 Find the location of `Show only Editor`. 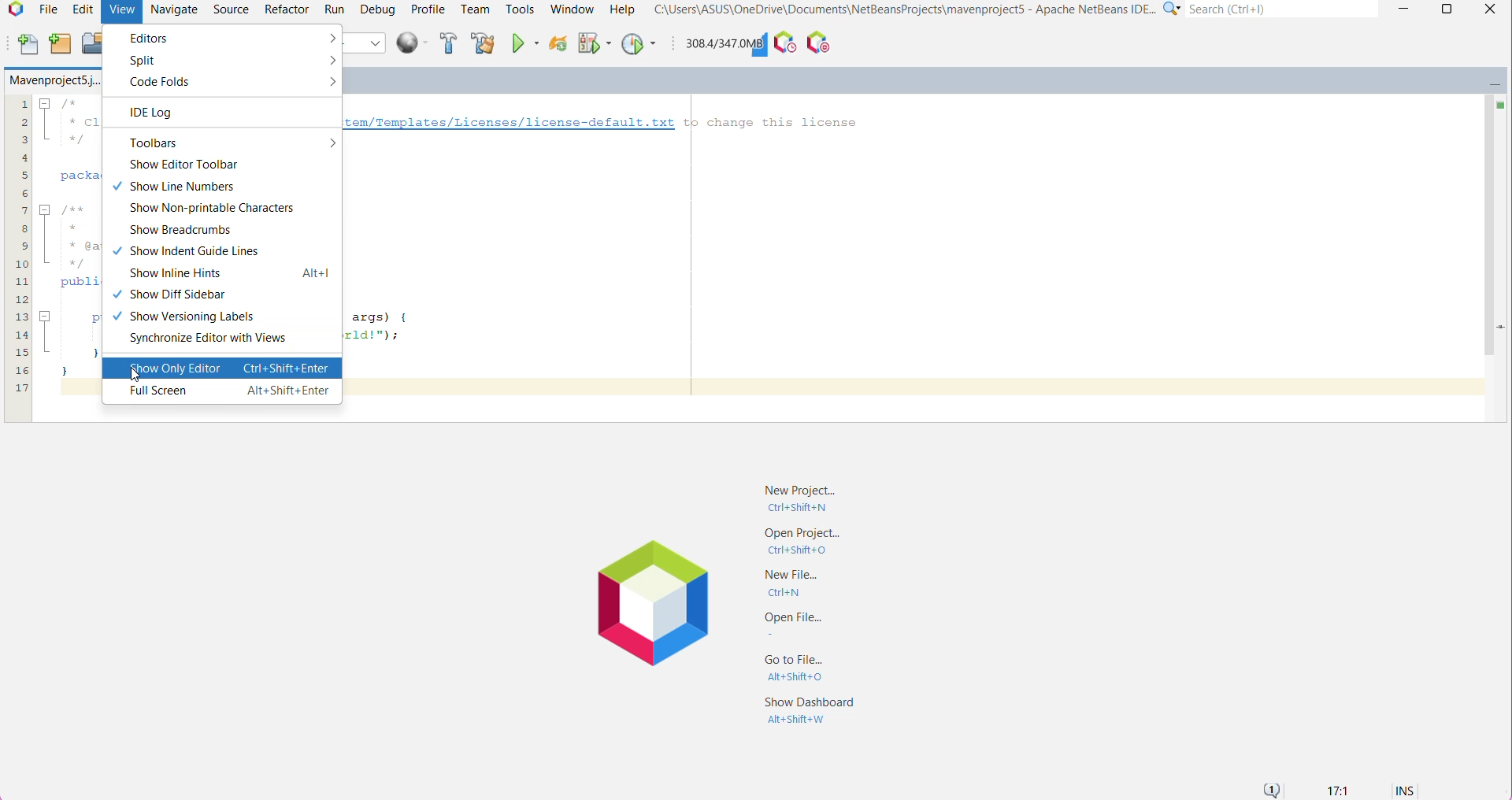

Show only Editor is located at coordinates (220, 369).